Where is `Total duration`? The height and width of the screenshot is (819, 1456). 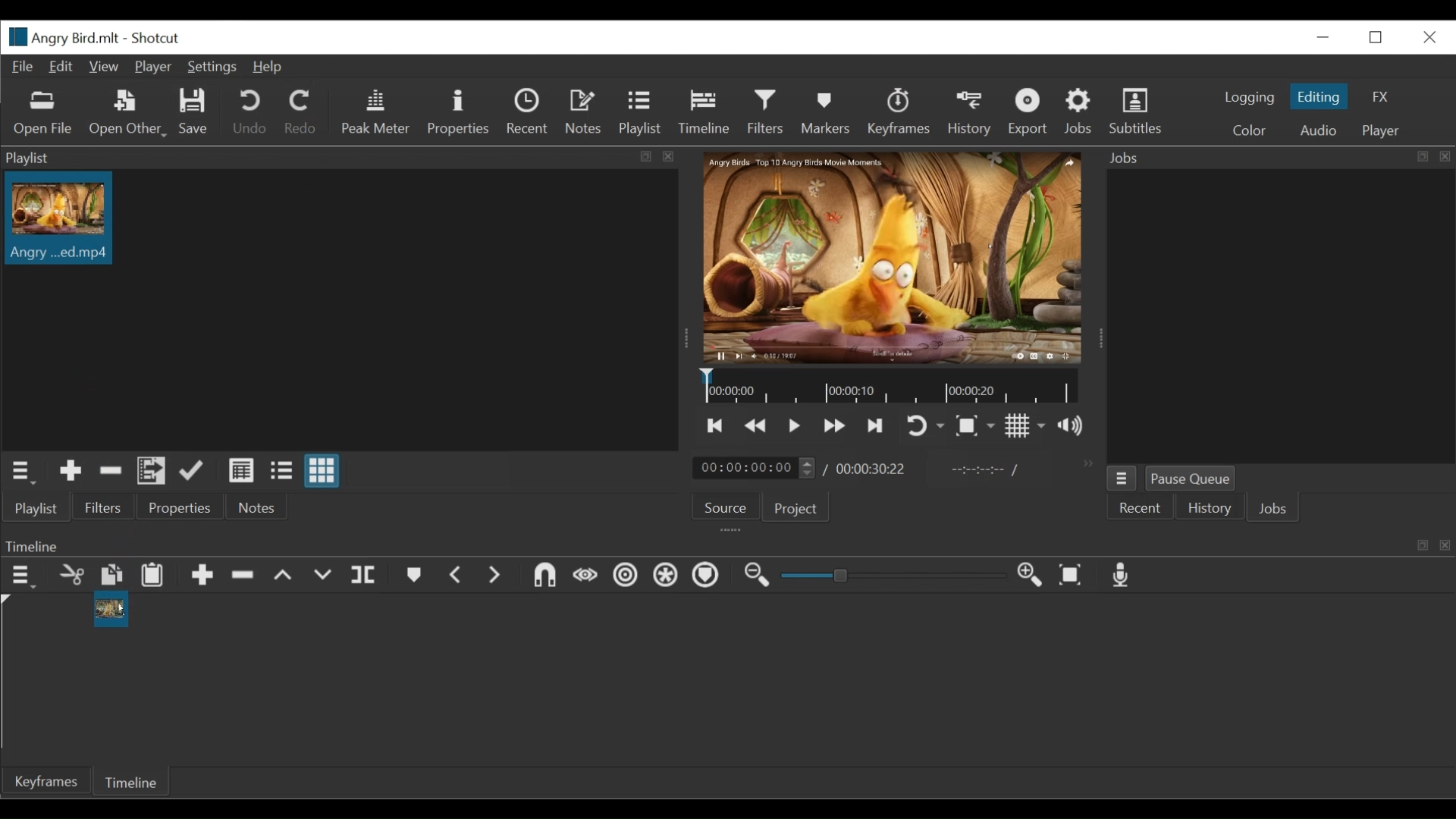
Total duration is located at coordinates (872, 469).